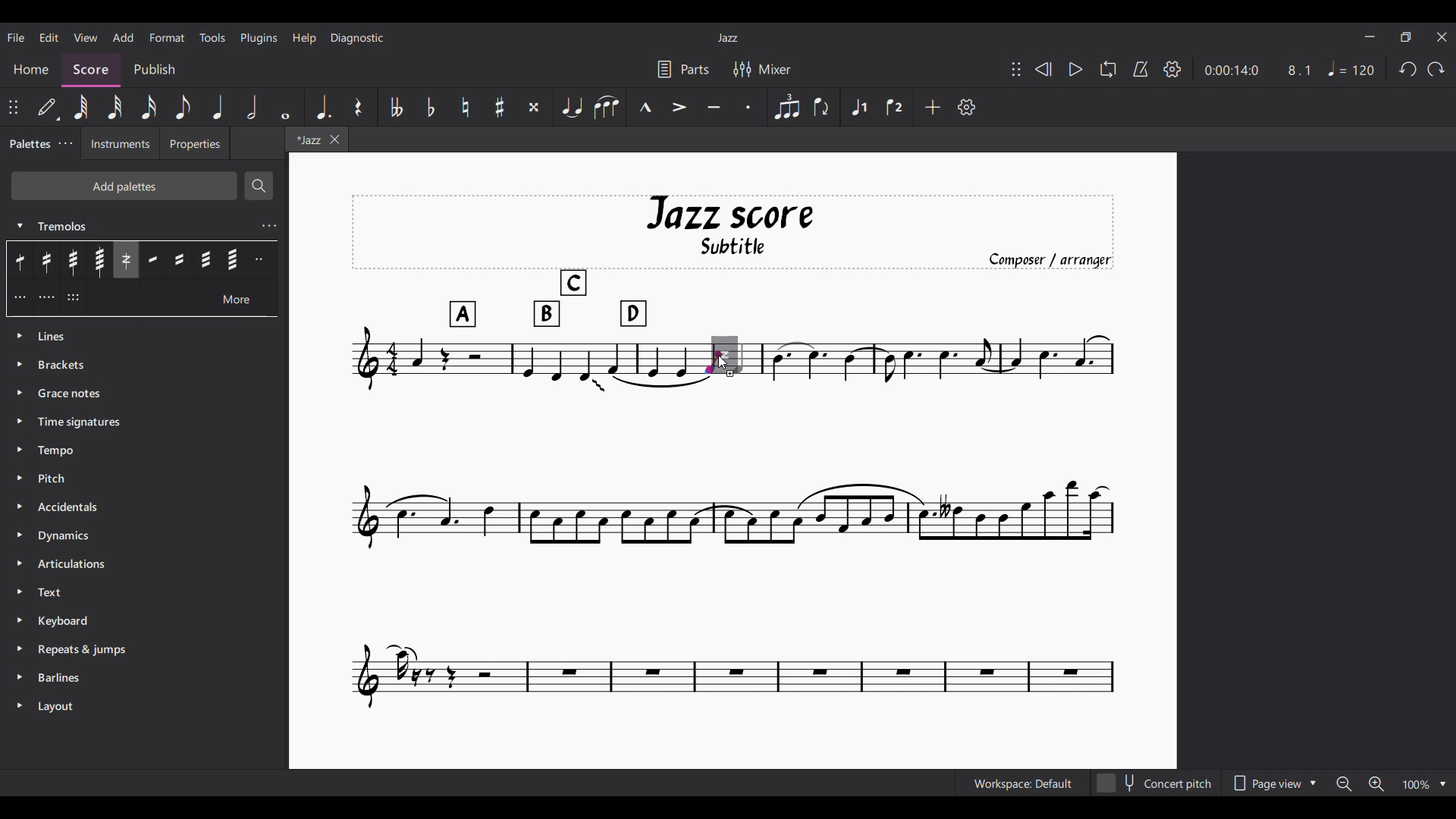  What do you see at coordinates (28, 143) in the screenshot?
I see `Palettes` at bounding box center [28, 143].